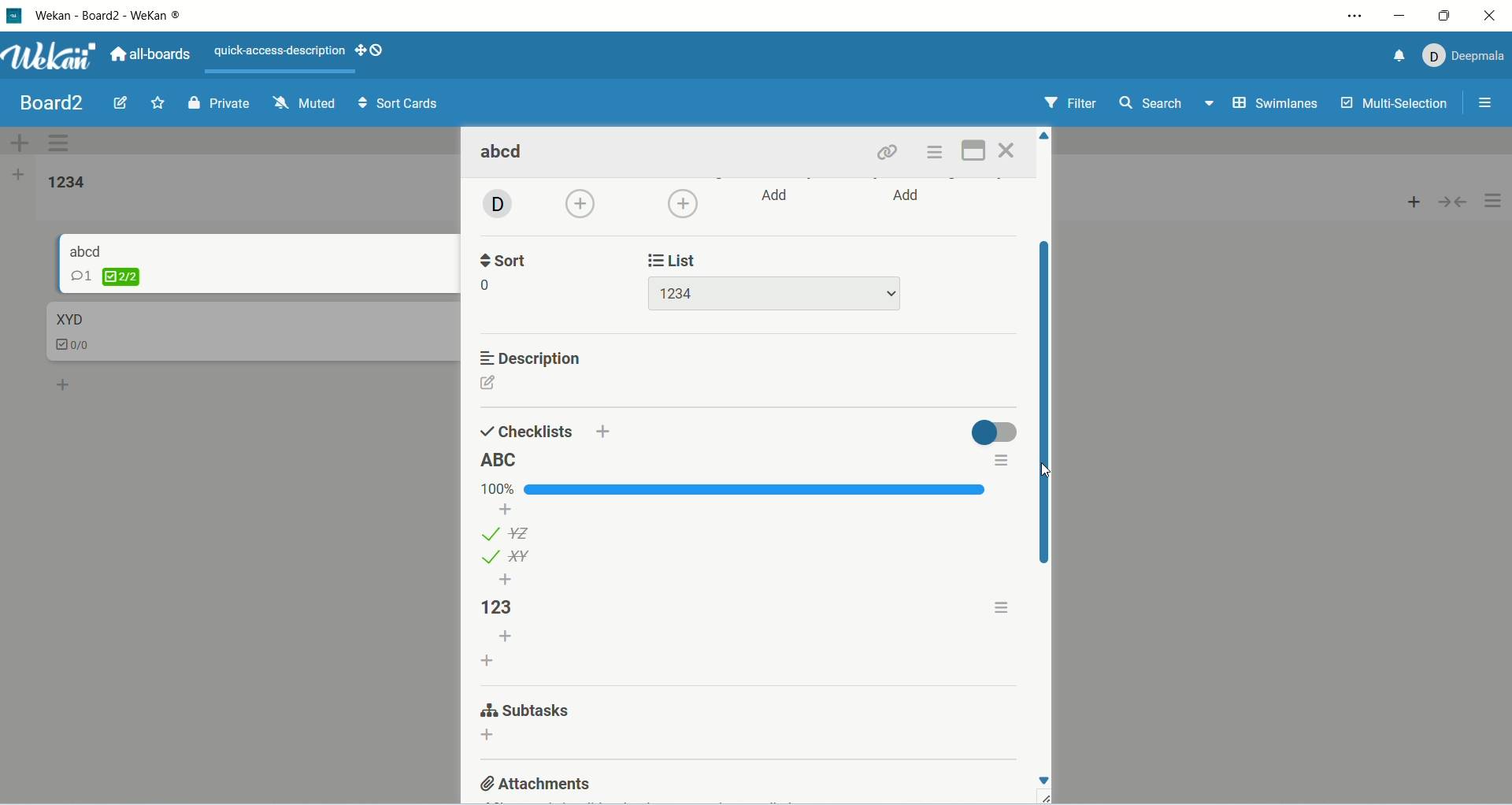 This screenshot has height=805, width=1512. What do you see at coordinates (1456, 204) in the screenshot?
I see `collapse` at bounding box center [1456, 204].